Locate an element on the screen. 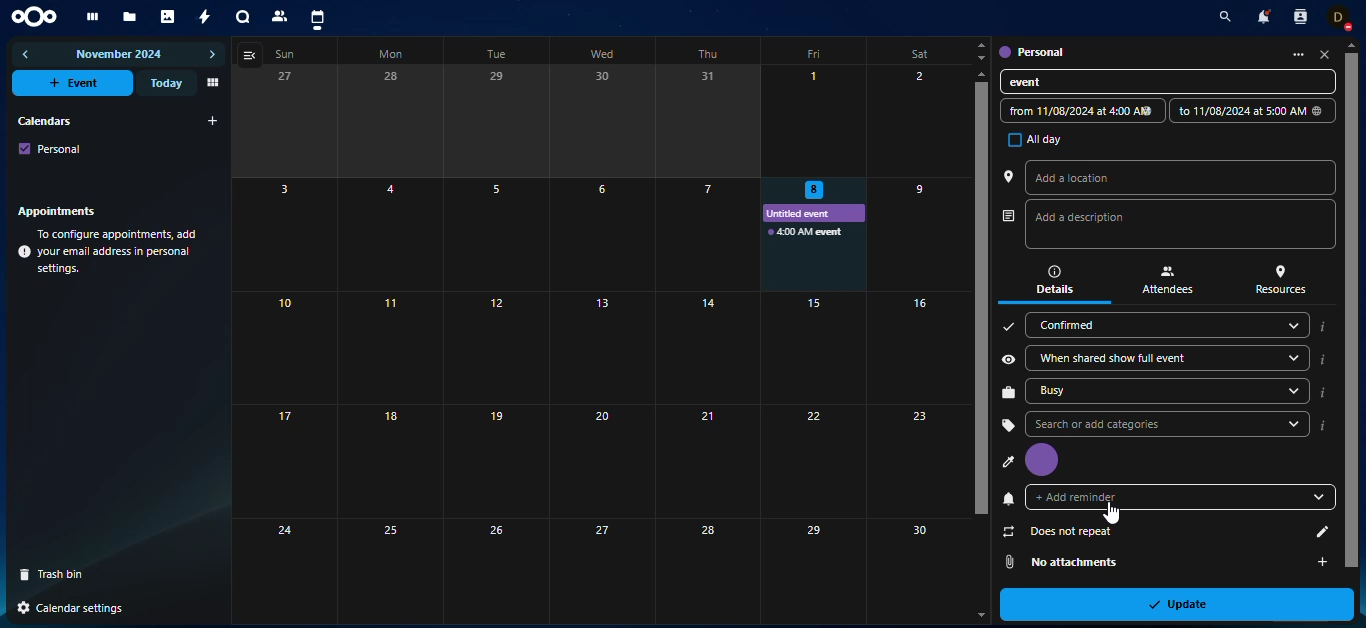 This screenshot has width=1366, height=628. 14 is located at coordinates (708, 347).